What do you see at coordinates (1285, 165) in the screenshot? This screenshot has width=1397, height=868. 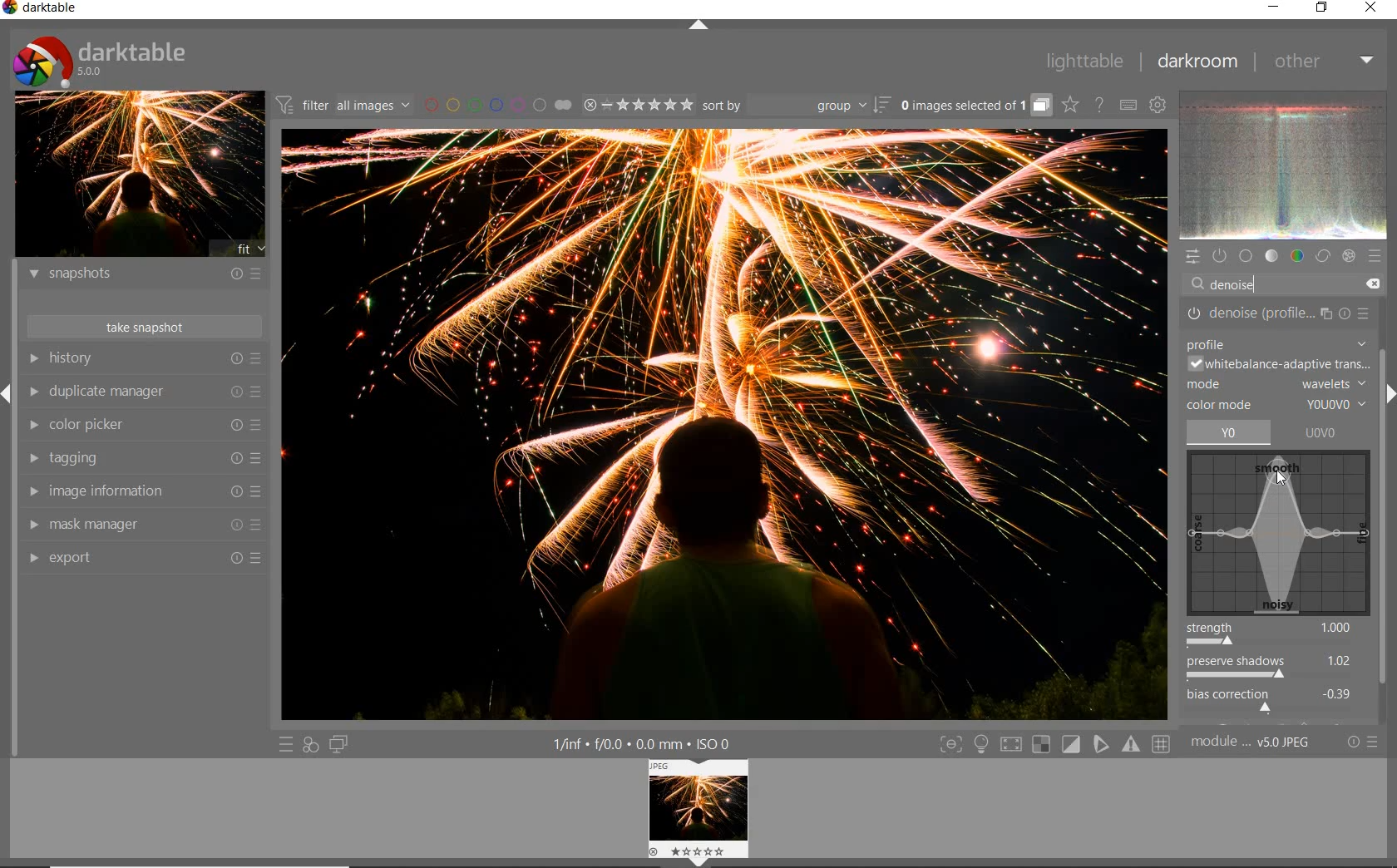 I see `waveform` at bounding box center [1285, 165].